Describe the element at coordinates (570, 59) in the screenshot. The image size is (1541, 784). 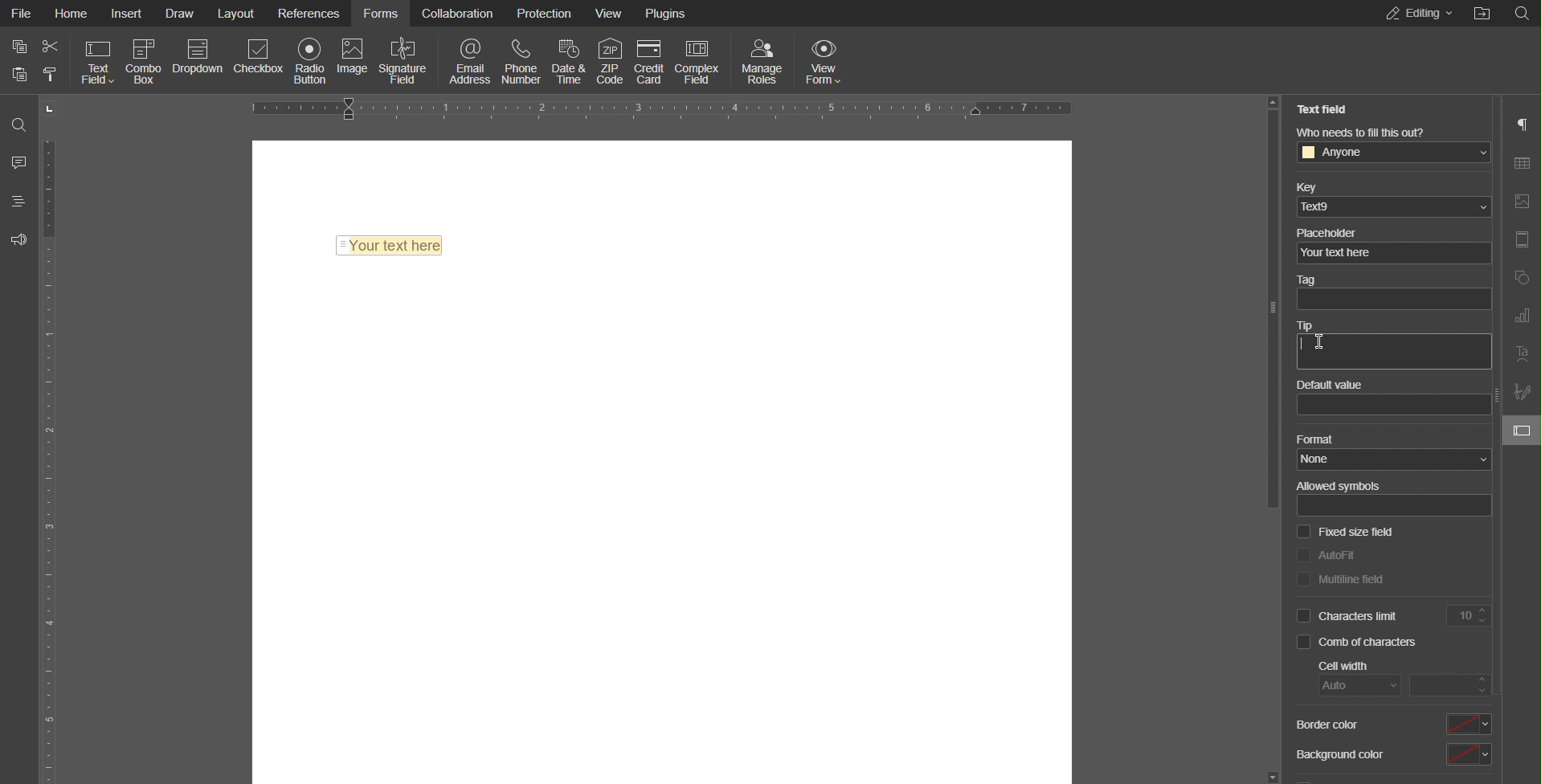
I see `Date & Time` at that location.